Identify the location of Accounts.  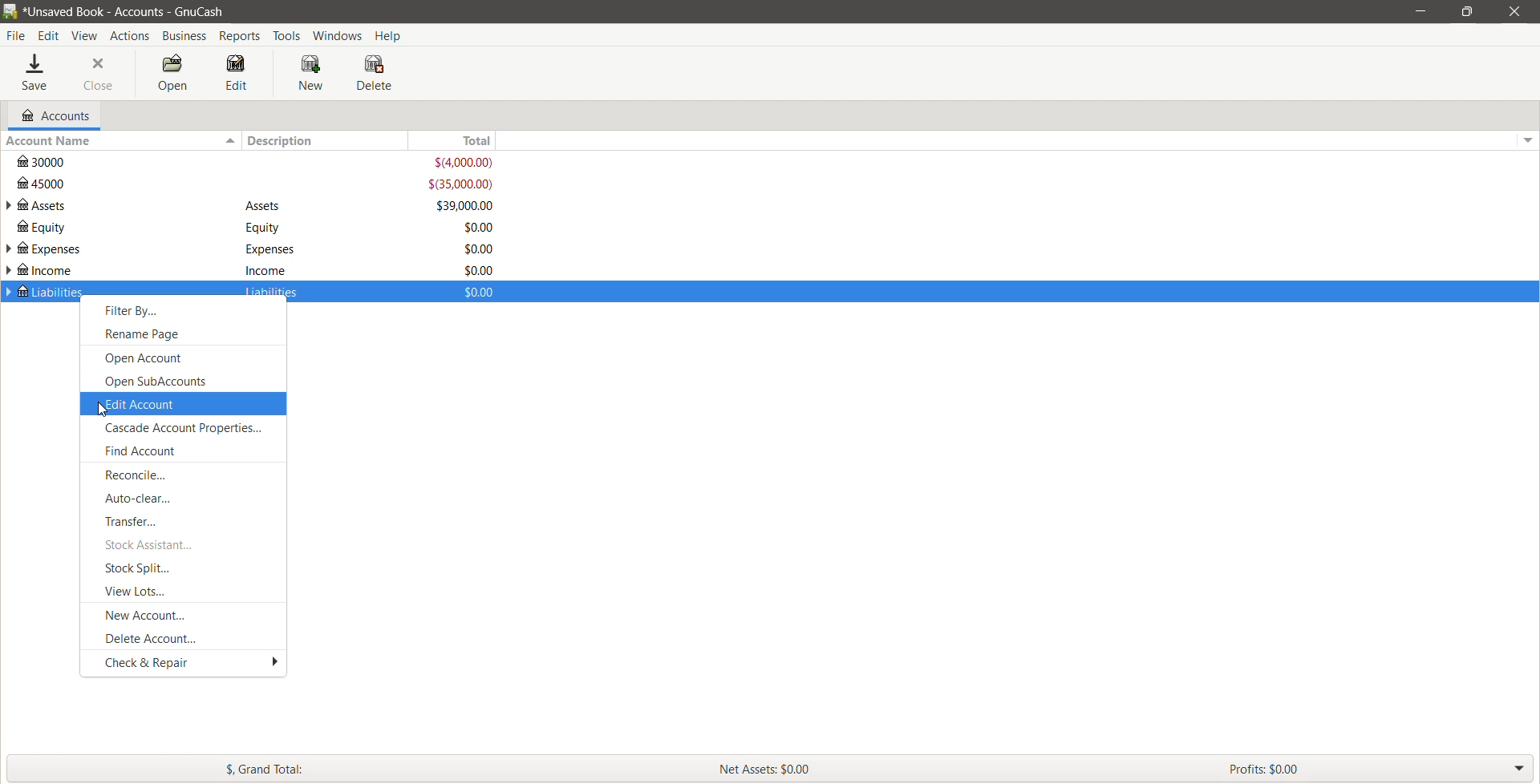
(54, 115).